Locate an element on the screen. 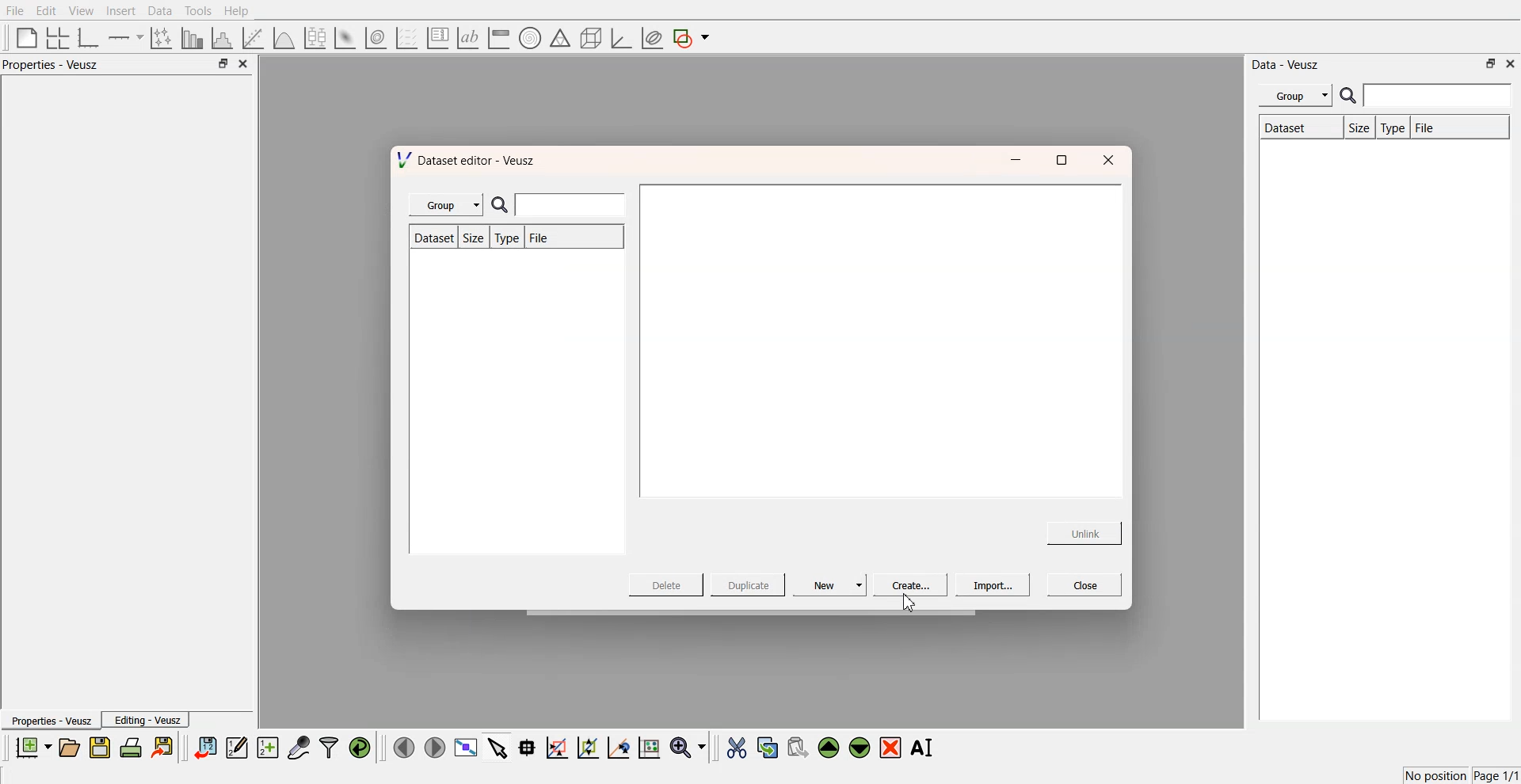 The height and width of the screenshot is (784, 1521). Dataset is located at coordinates (434, 238).